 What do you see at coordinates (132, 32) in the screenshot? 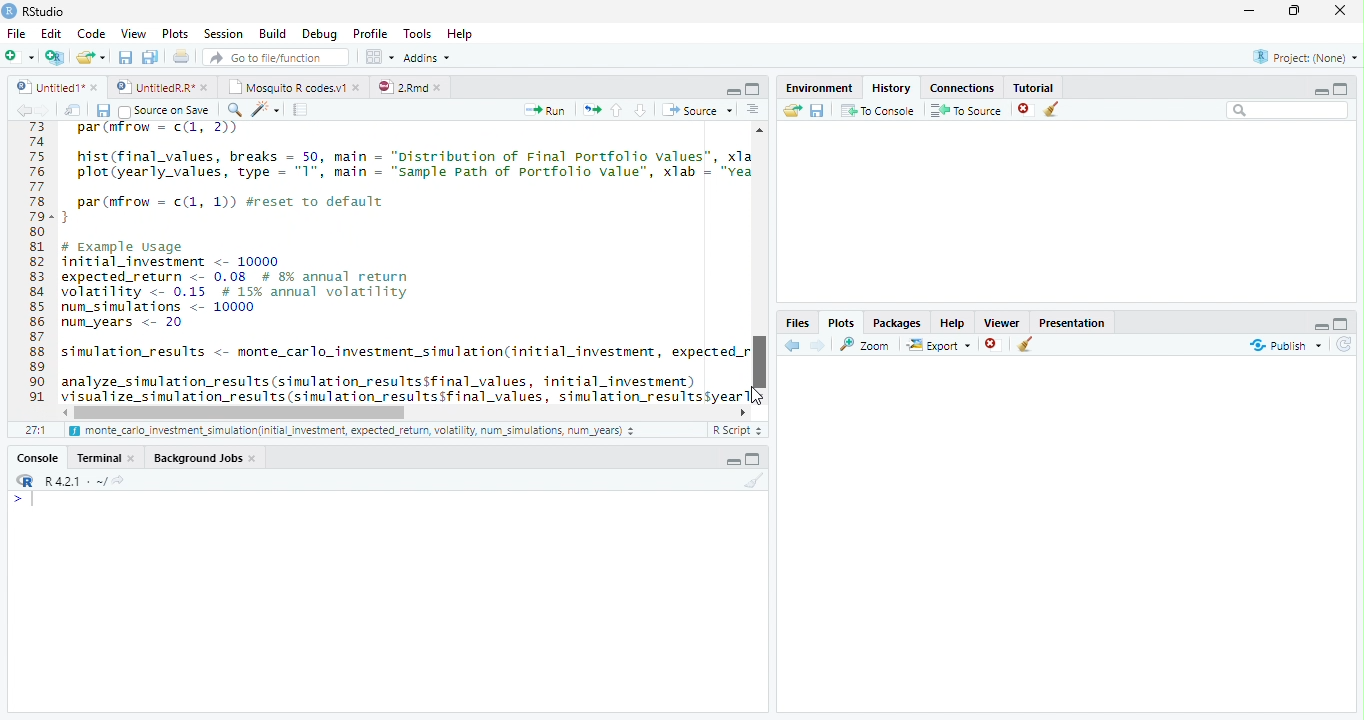
I see `View` at bounding box center [132, 32].